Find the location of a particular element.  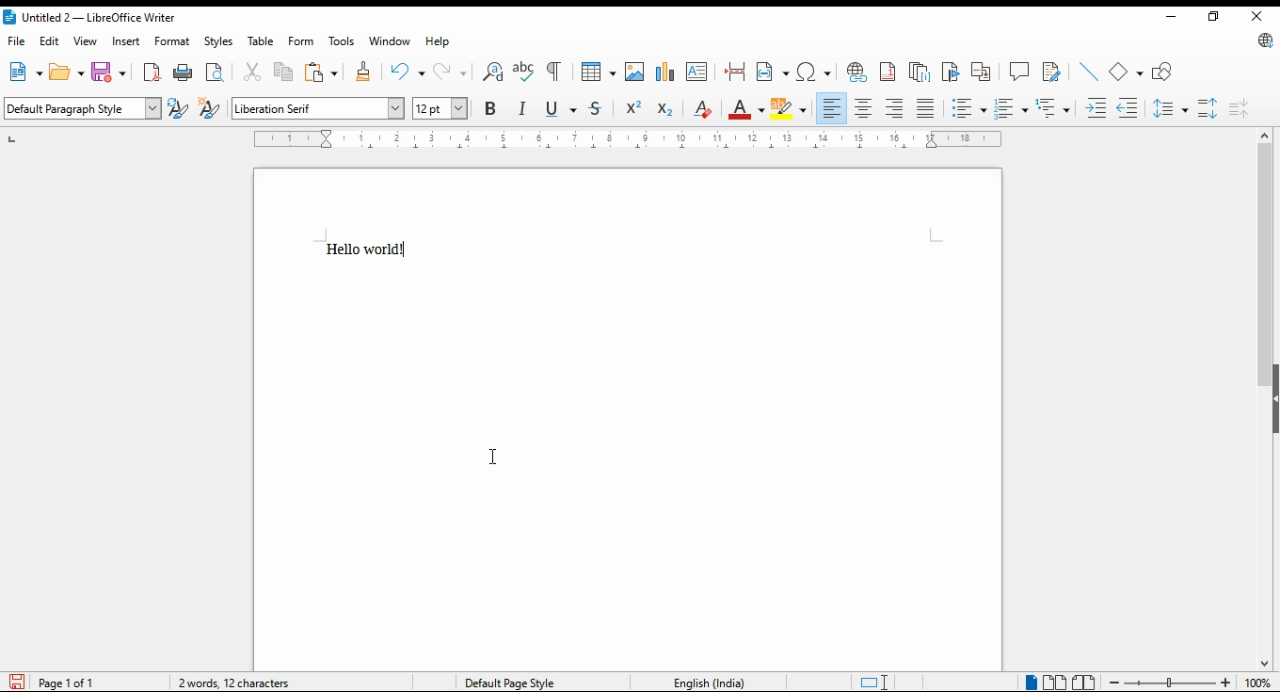

align left is located at coordinates (831, 108).